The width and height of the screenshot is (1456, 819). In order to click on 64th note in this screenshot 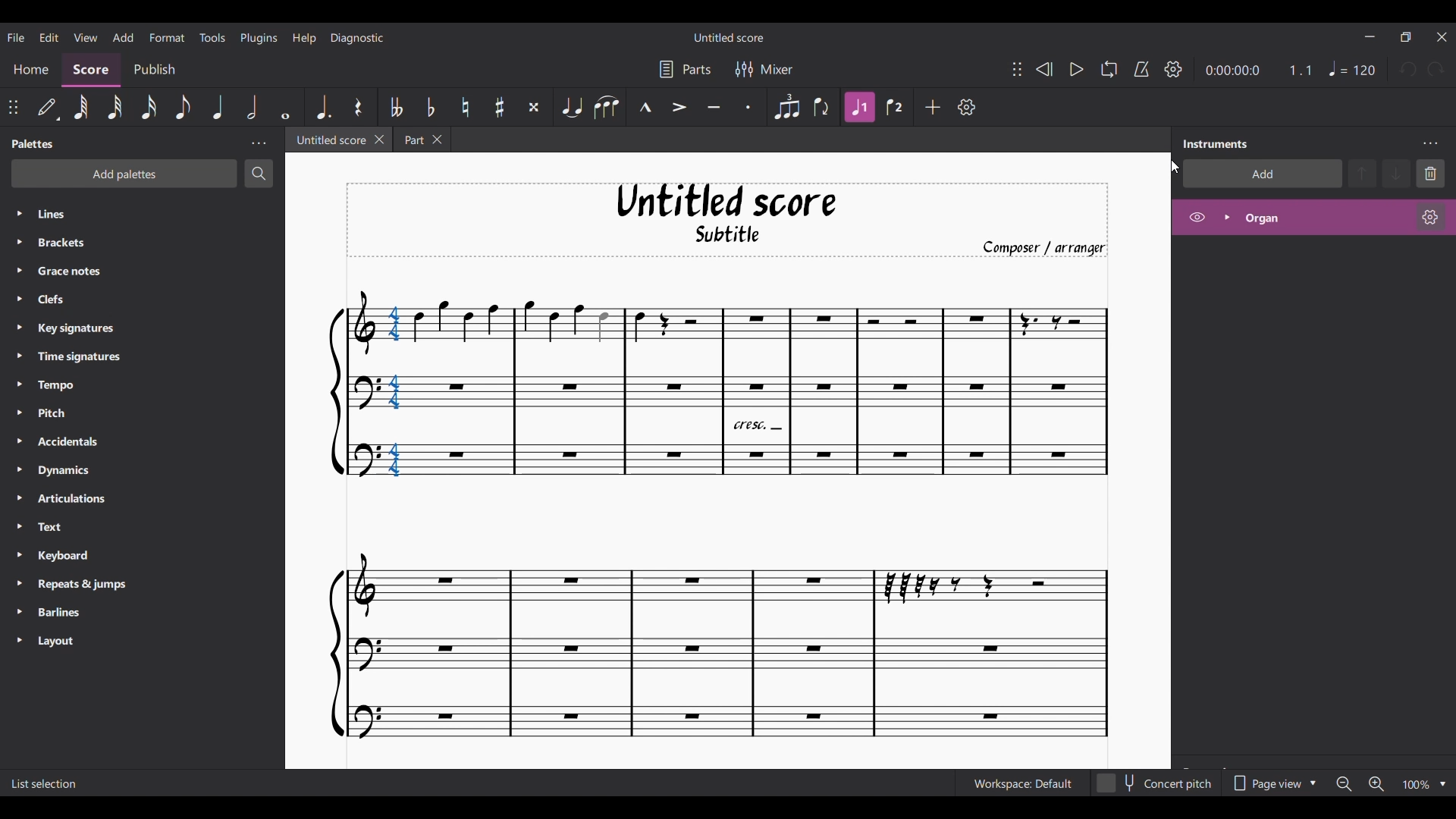, I will do `click(80, 108)`.